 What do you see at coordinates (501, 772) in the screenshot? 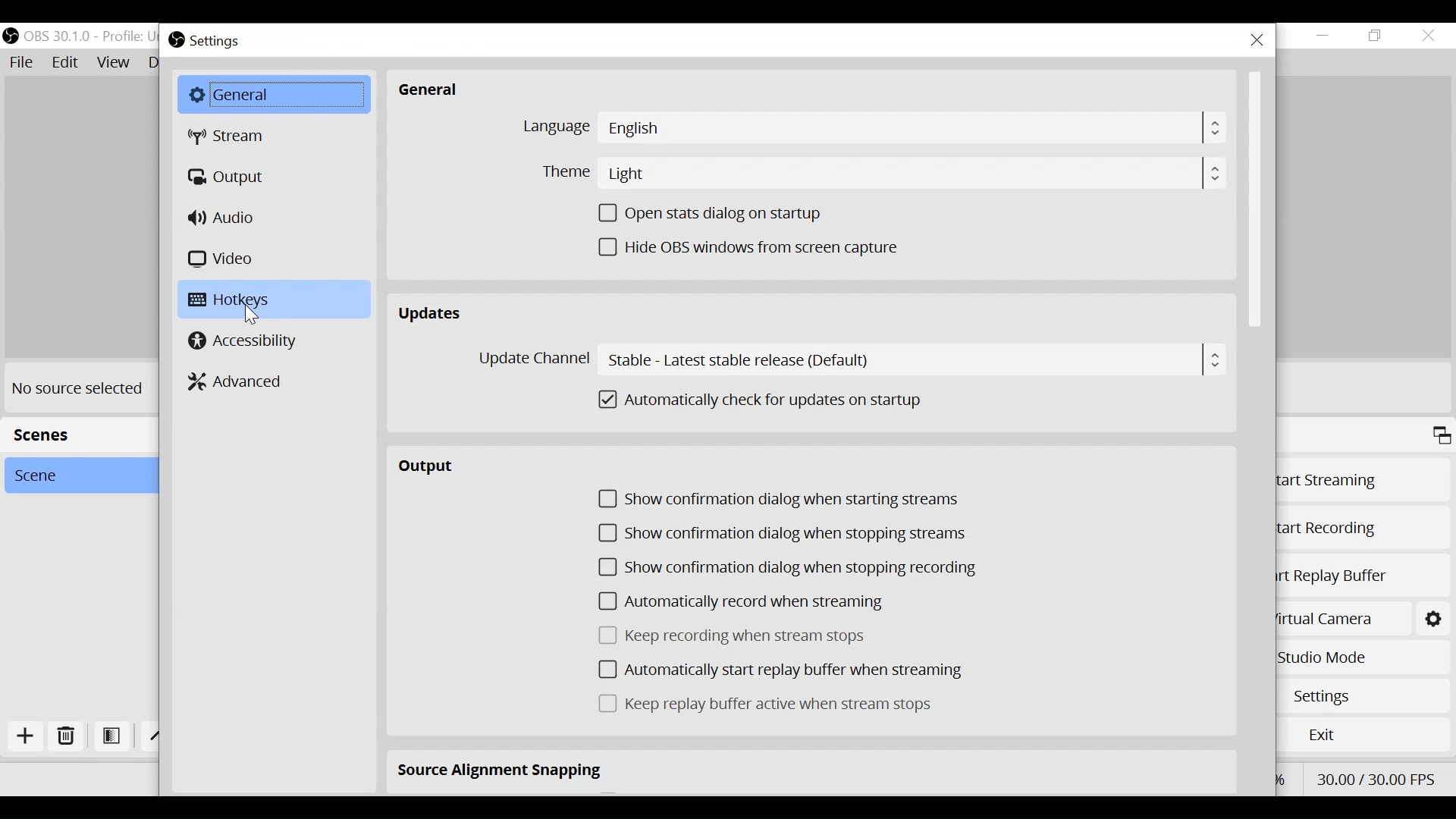
I see `Source Alignment Snapping` at bounding box center [501, 772].